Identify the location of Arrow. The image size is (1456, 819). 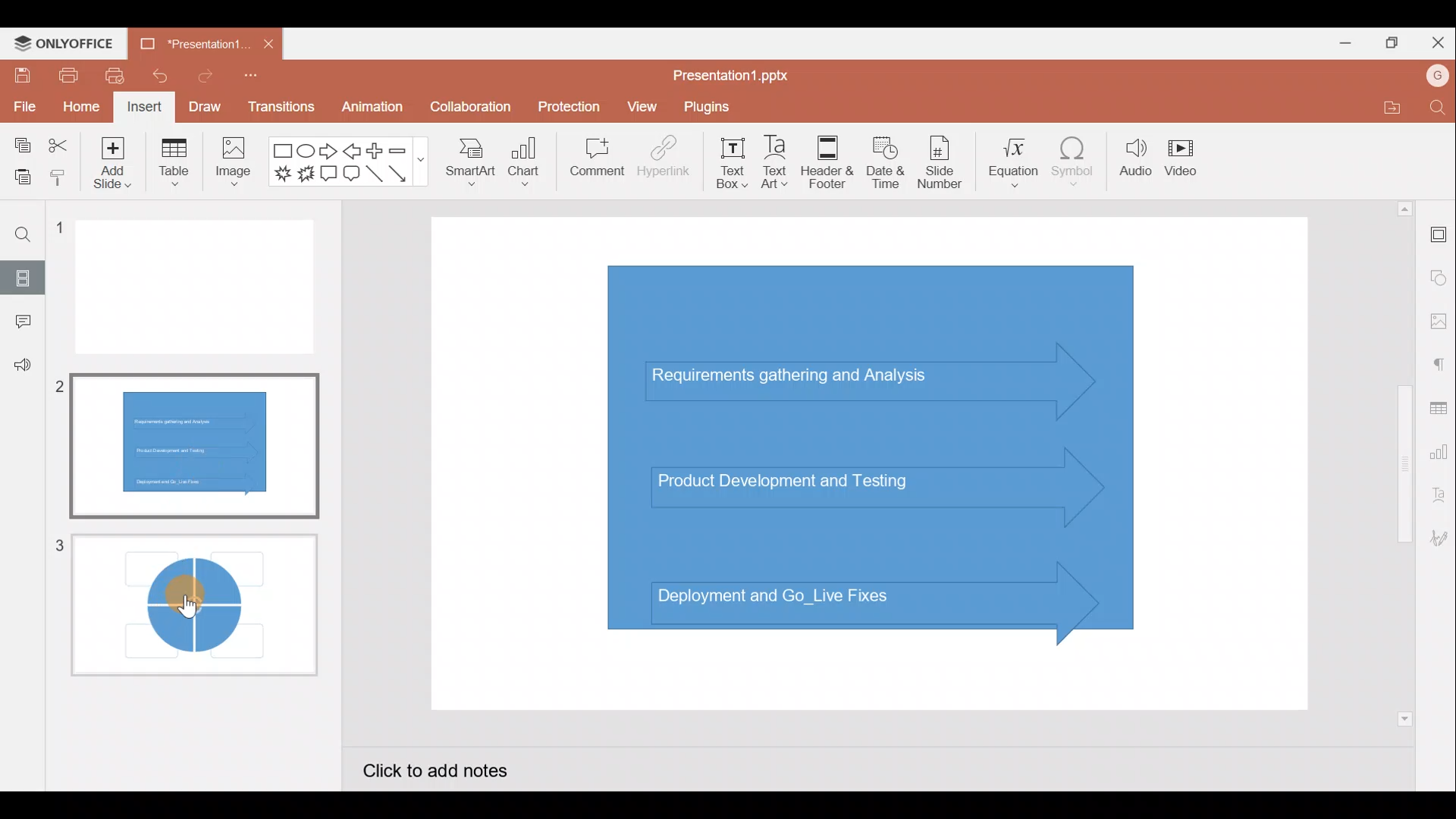
(401, 174).